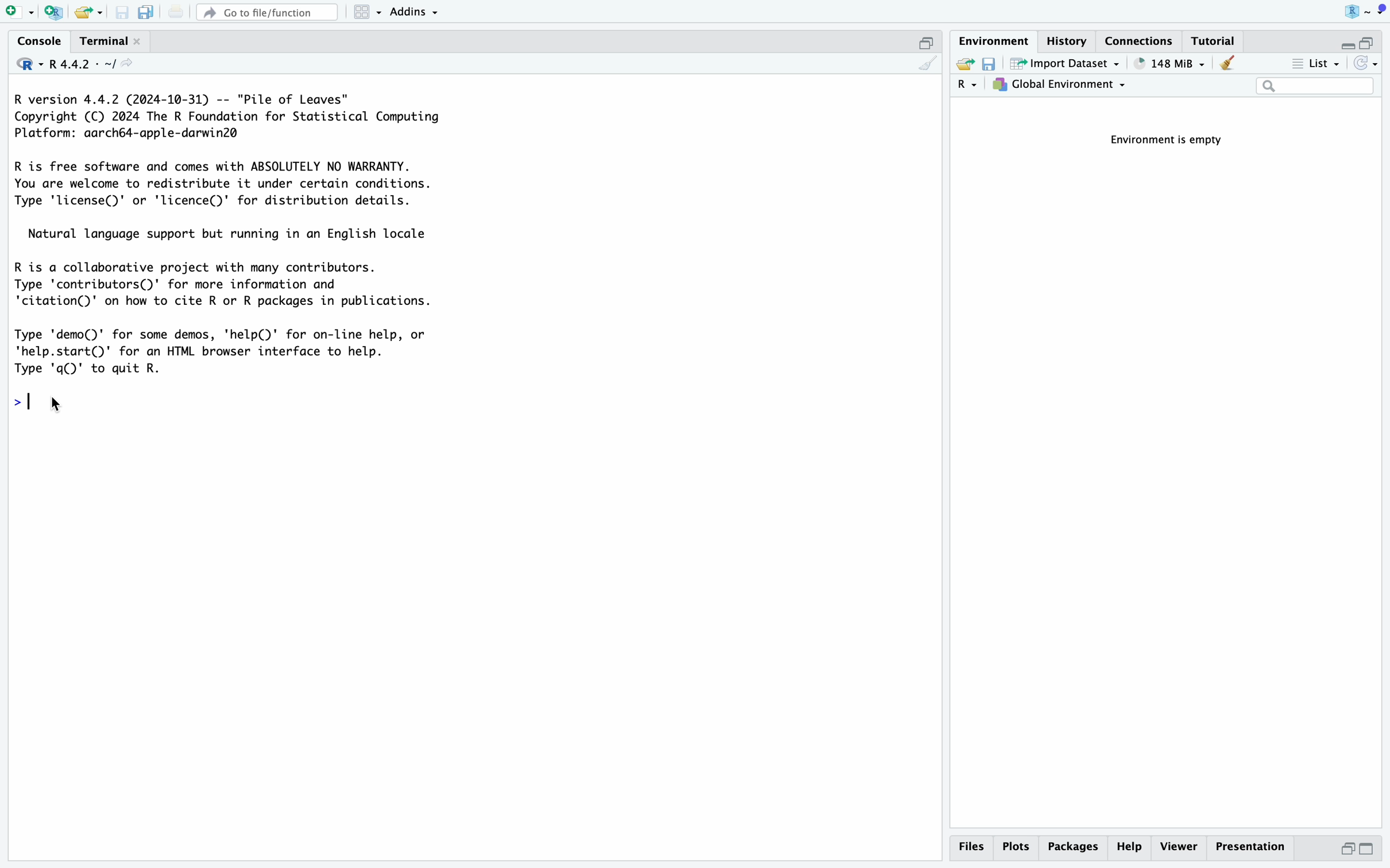 The width and height of the screenshot is (1390, 868). Describe the element at coordinates (928, 40) in the screenshot. I see `maximize` at that location.